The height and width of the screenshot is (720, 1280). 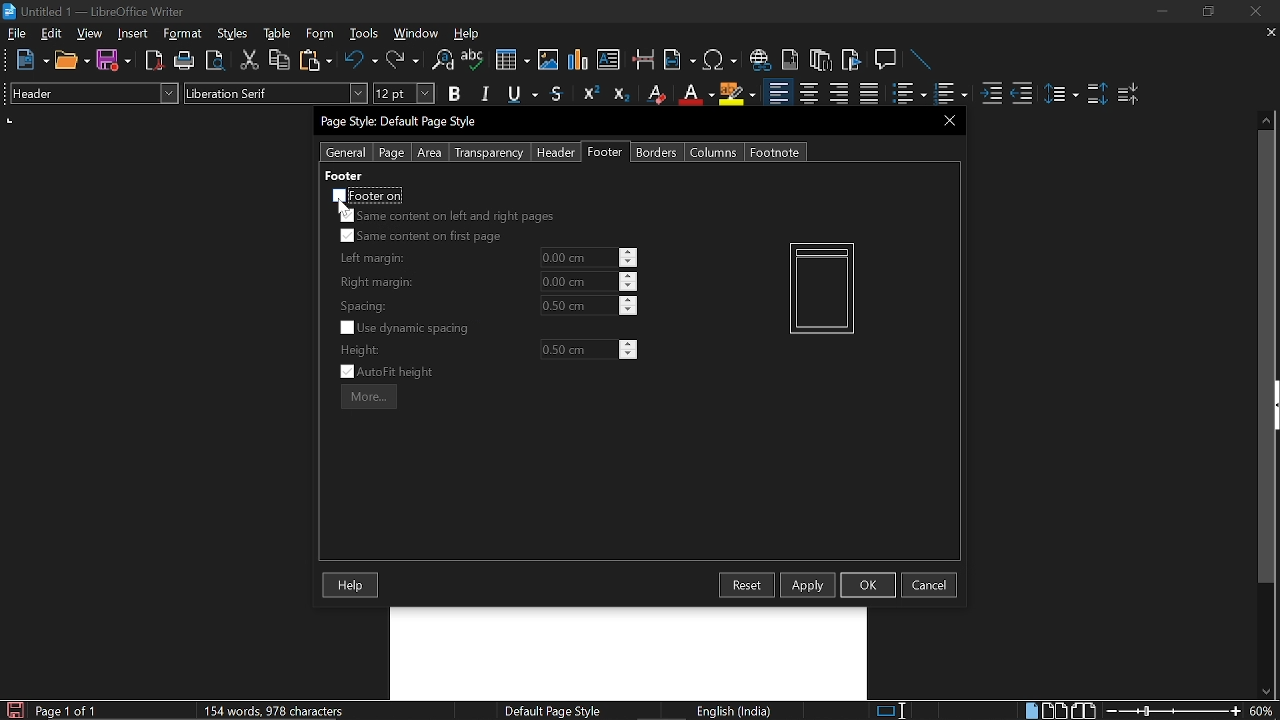 What do you see at coordinates (417, 33) in the screenshot?
I see `WIndow` at bounding box center [417, 33].